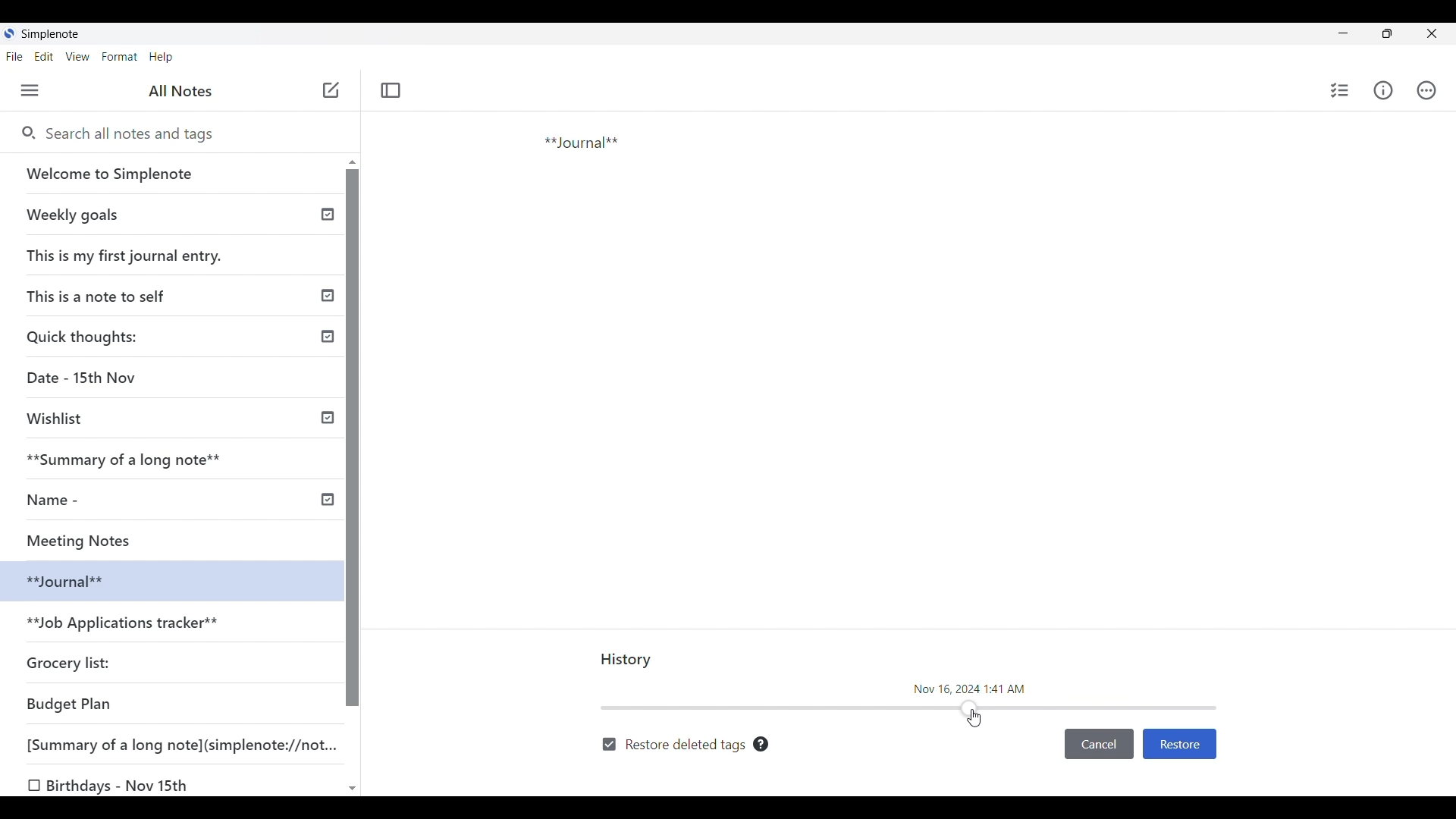 This screenshot has width=1456, height=819. Describe the element at coordinates (61, 419) in the screenshot. I see `Wishlist` at that location.